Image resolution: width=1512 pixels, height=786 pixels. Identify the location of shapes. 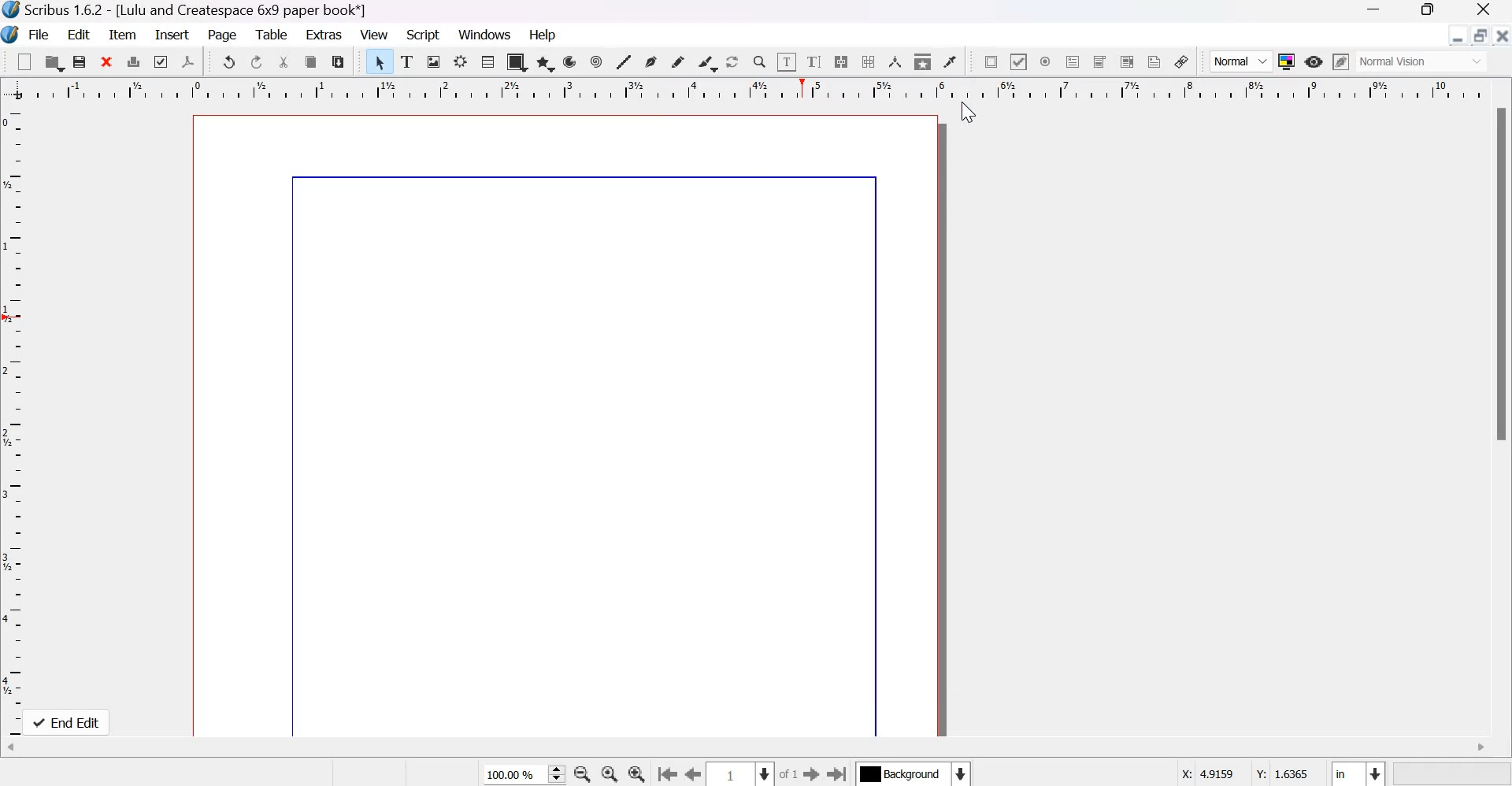
(516, 62).